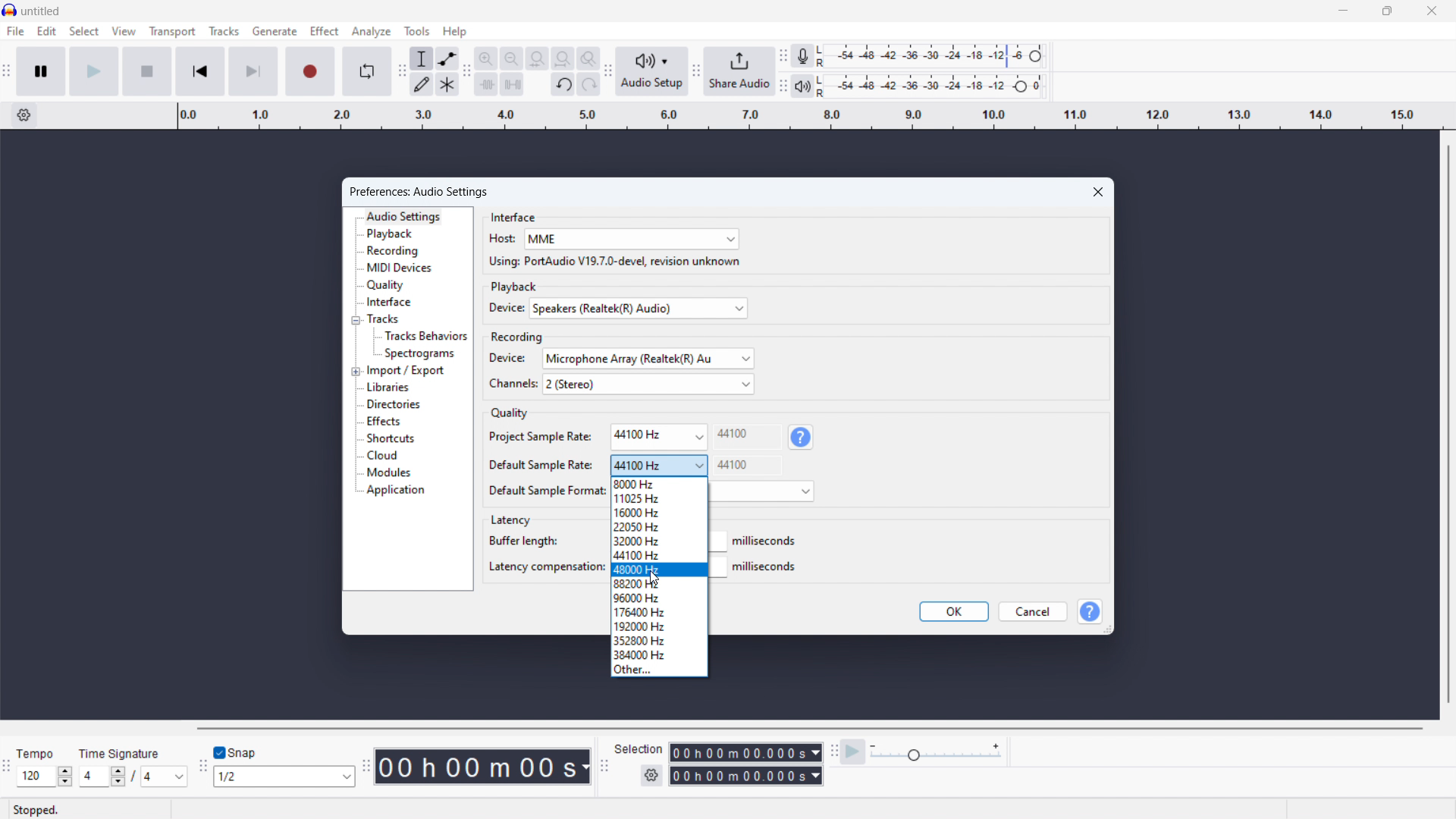 The height and width of the screenshot is (819, 1456). I want to click on midi devices, so click(400, 268).